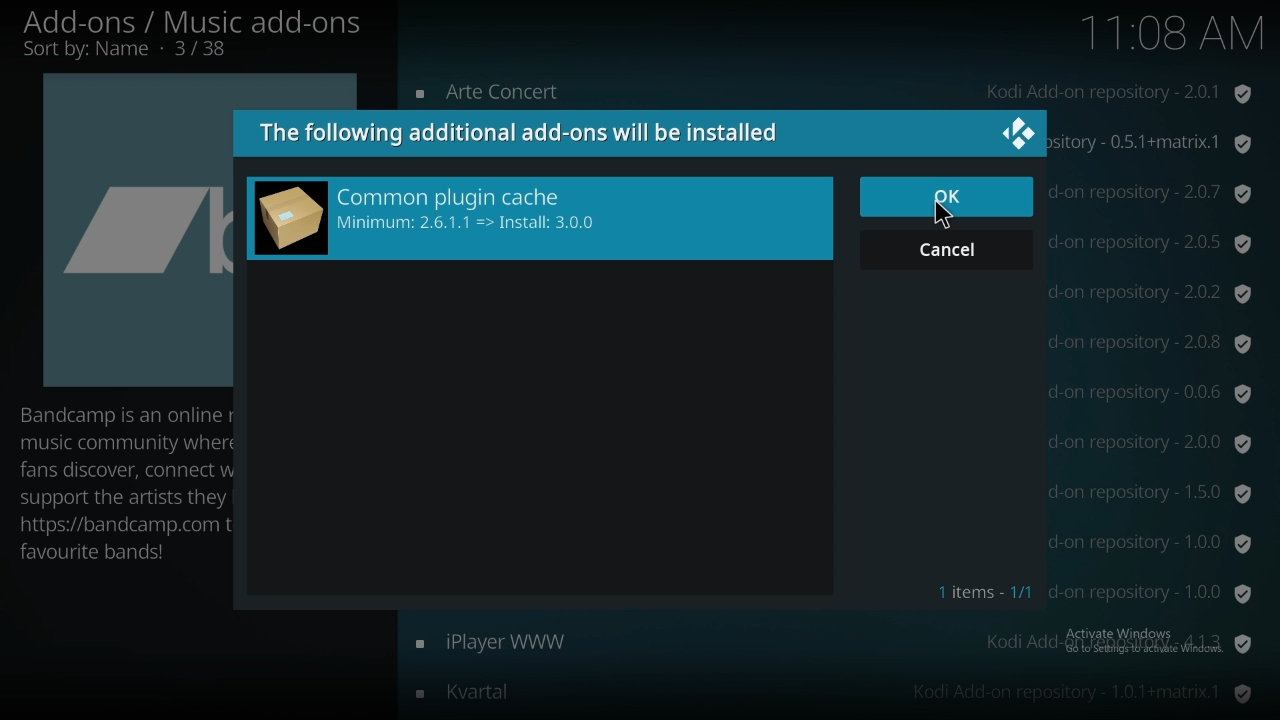 The width and height of the screenshot is (1280, 720). I want to click on ok, so click(949, 197).